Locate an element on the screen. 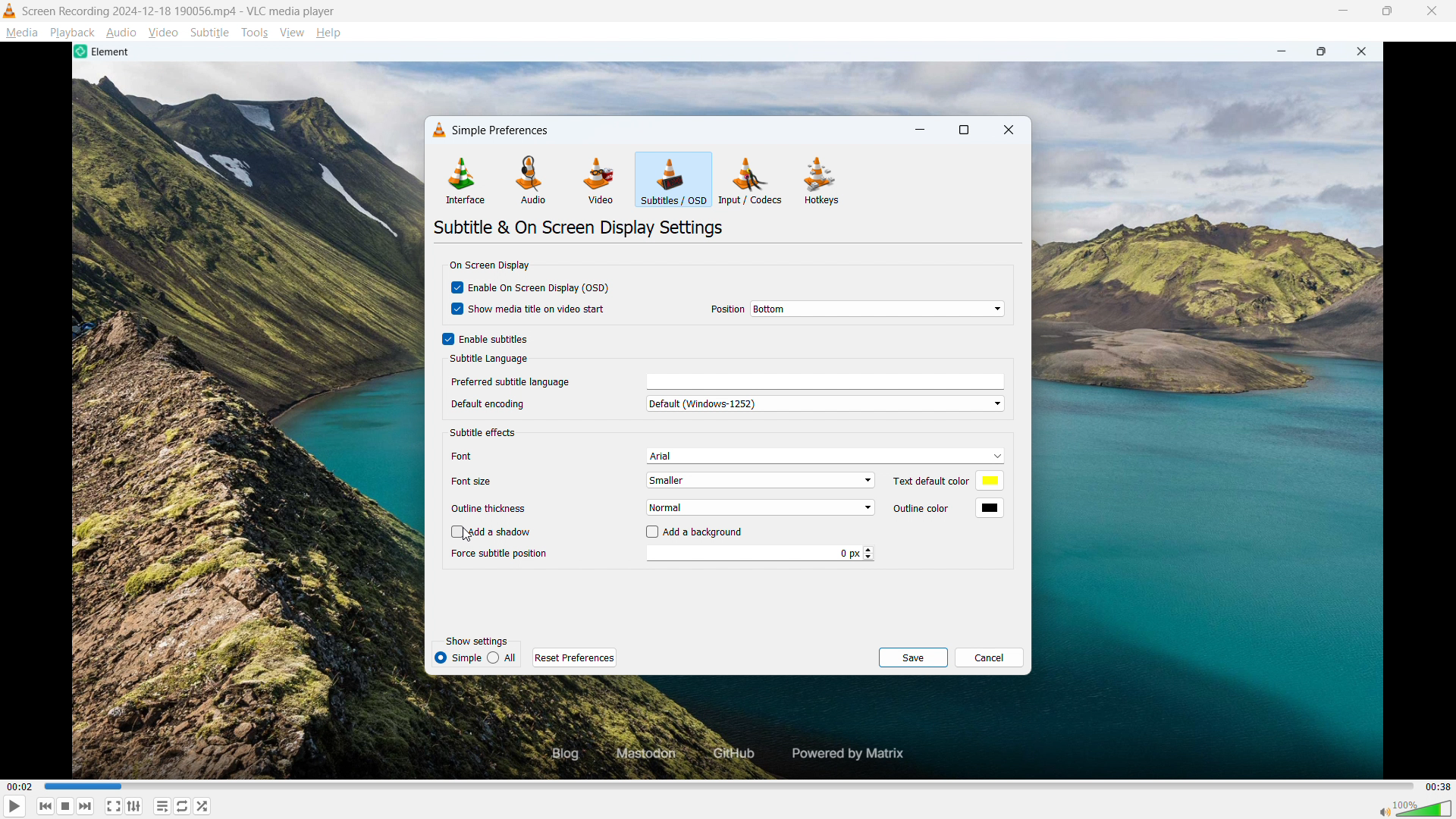  Play  is located at coordinates (14, 806).